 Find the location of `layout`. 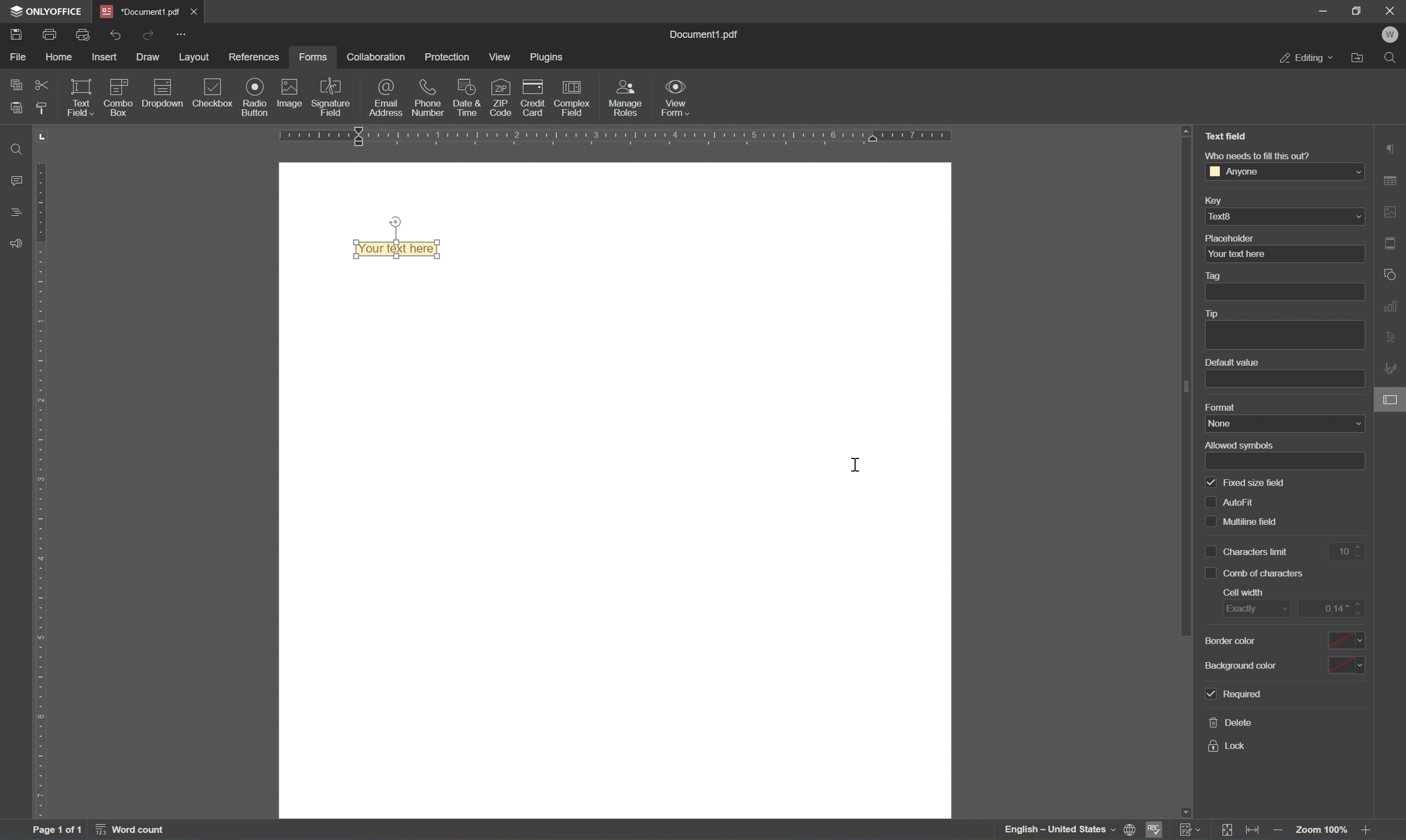

layout is located at coordinates (197, 57).